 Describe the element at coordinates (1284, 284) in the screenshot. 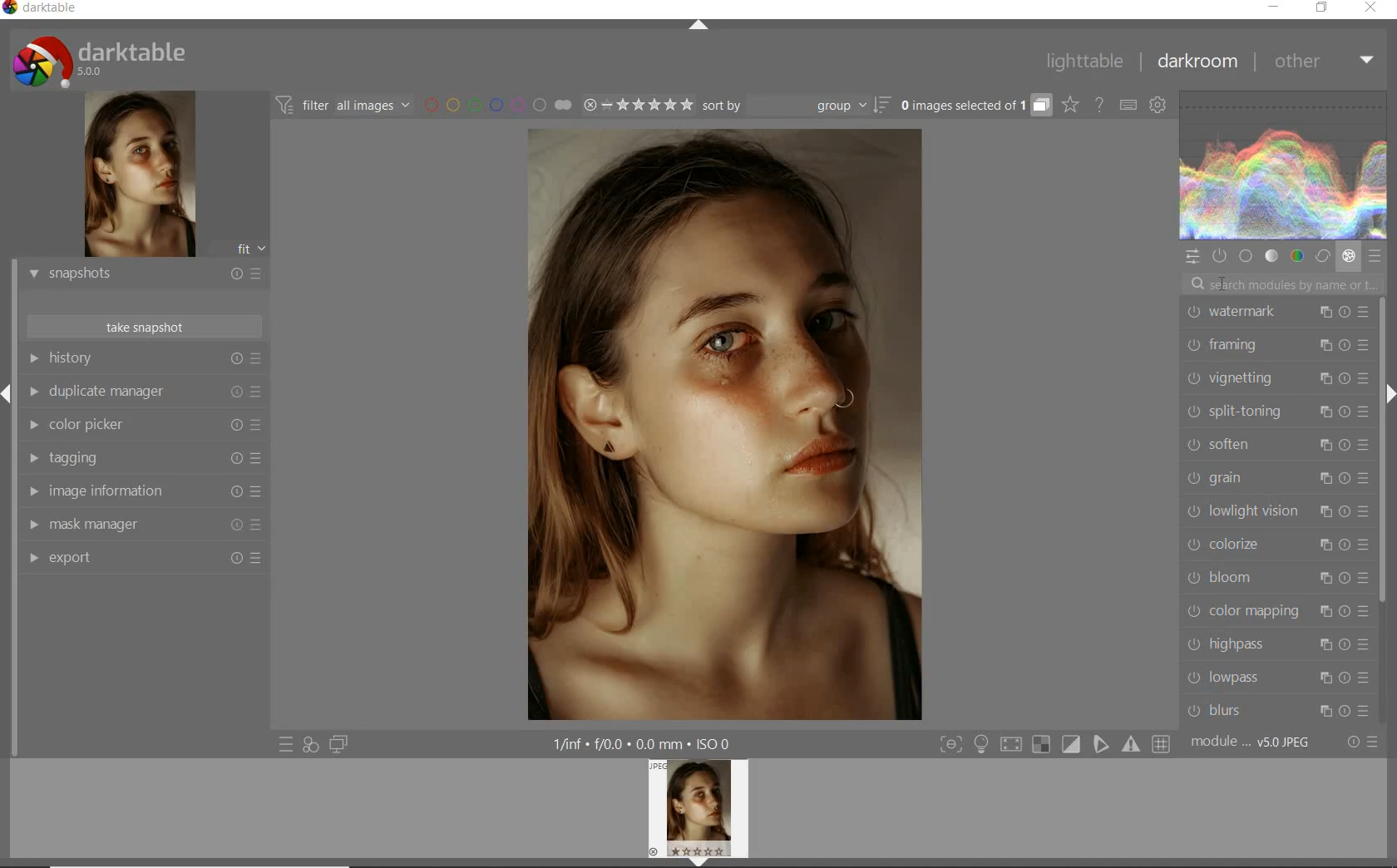

I see `search modules by name` at that location.